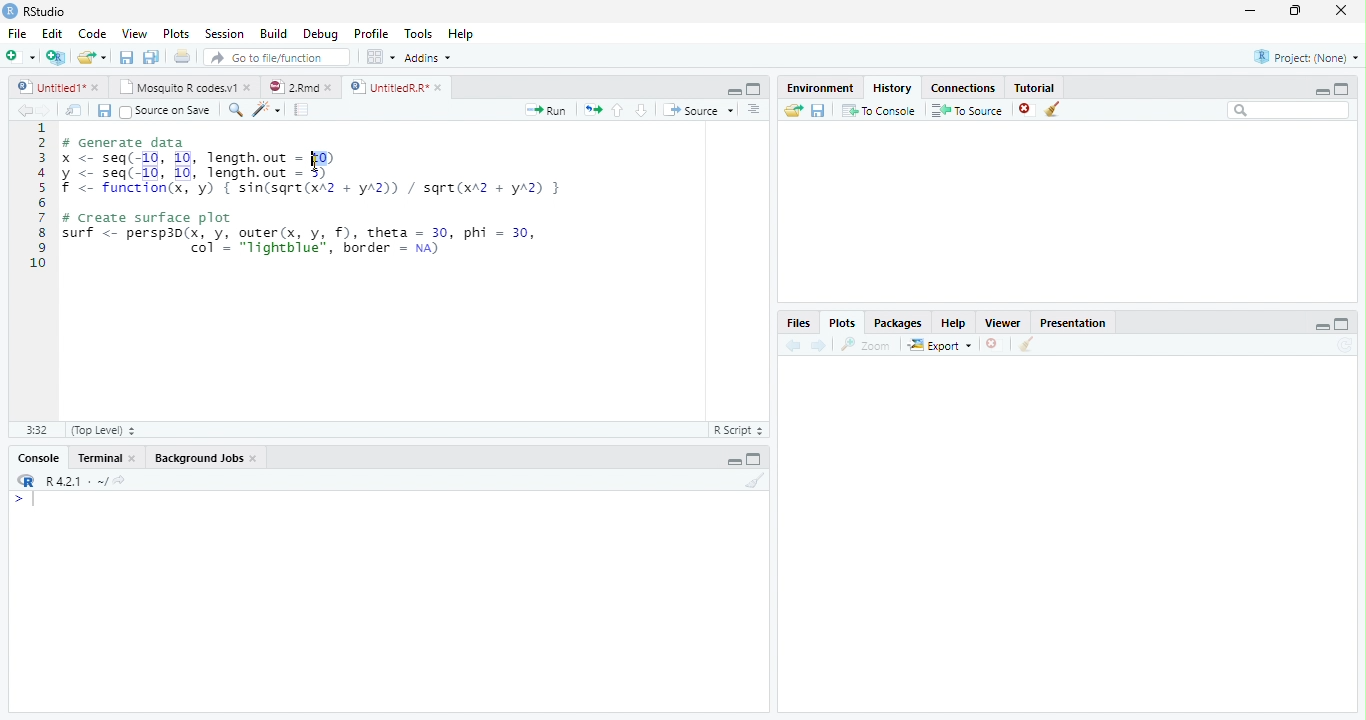 The width and height of the screenshot is (1366, 720). I want to click on New line, so click(24, 502).